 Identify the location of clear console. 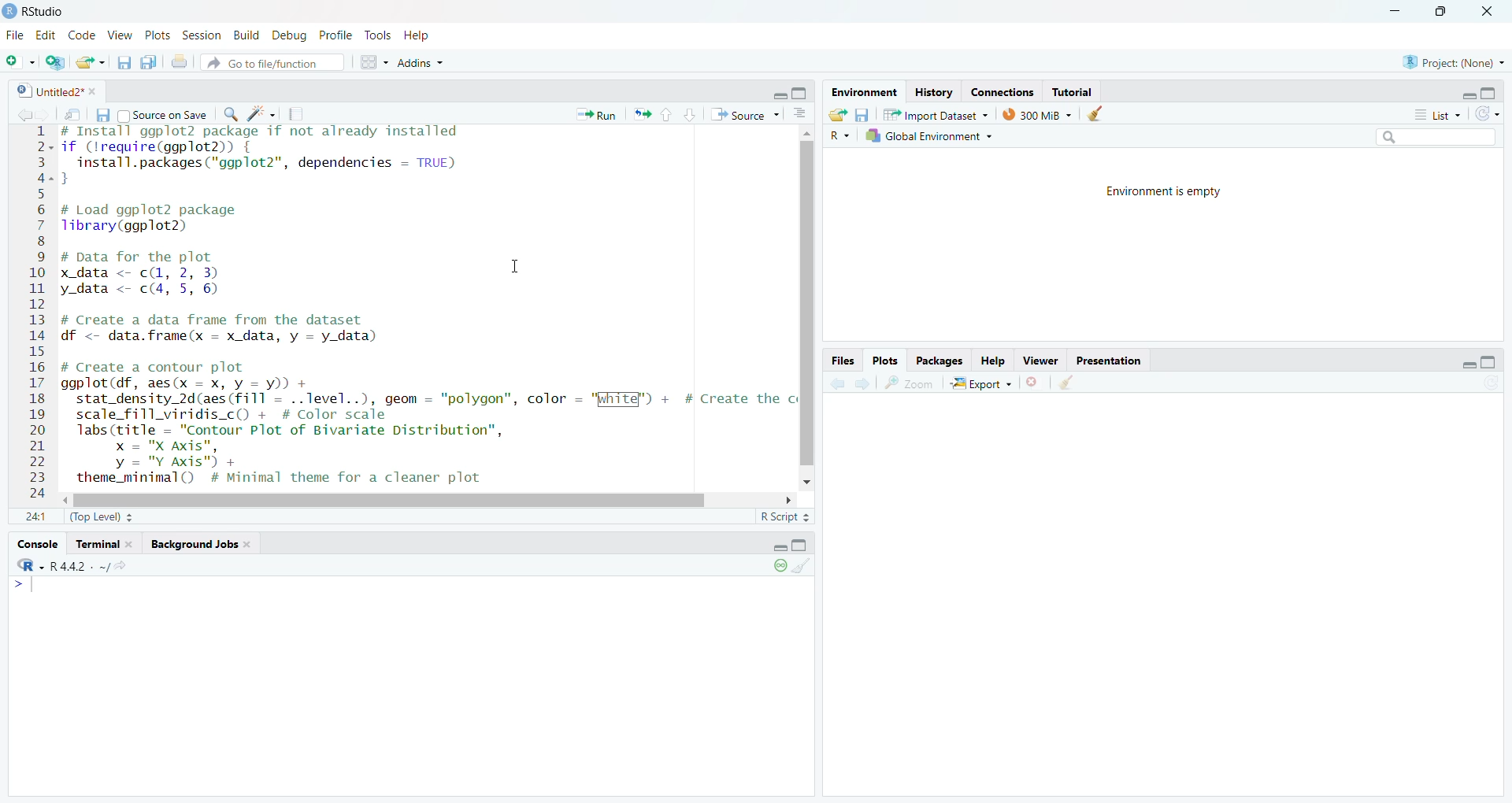
(802, 568).